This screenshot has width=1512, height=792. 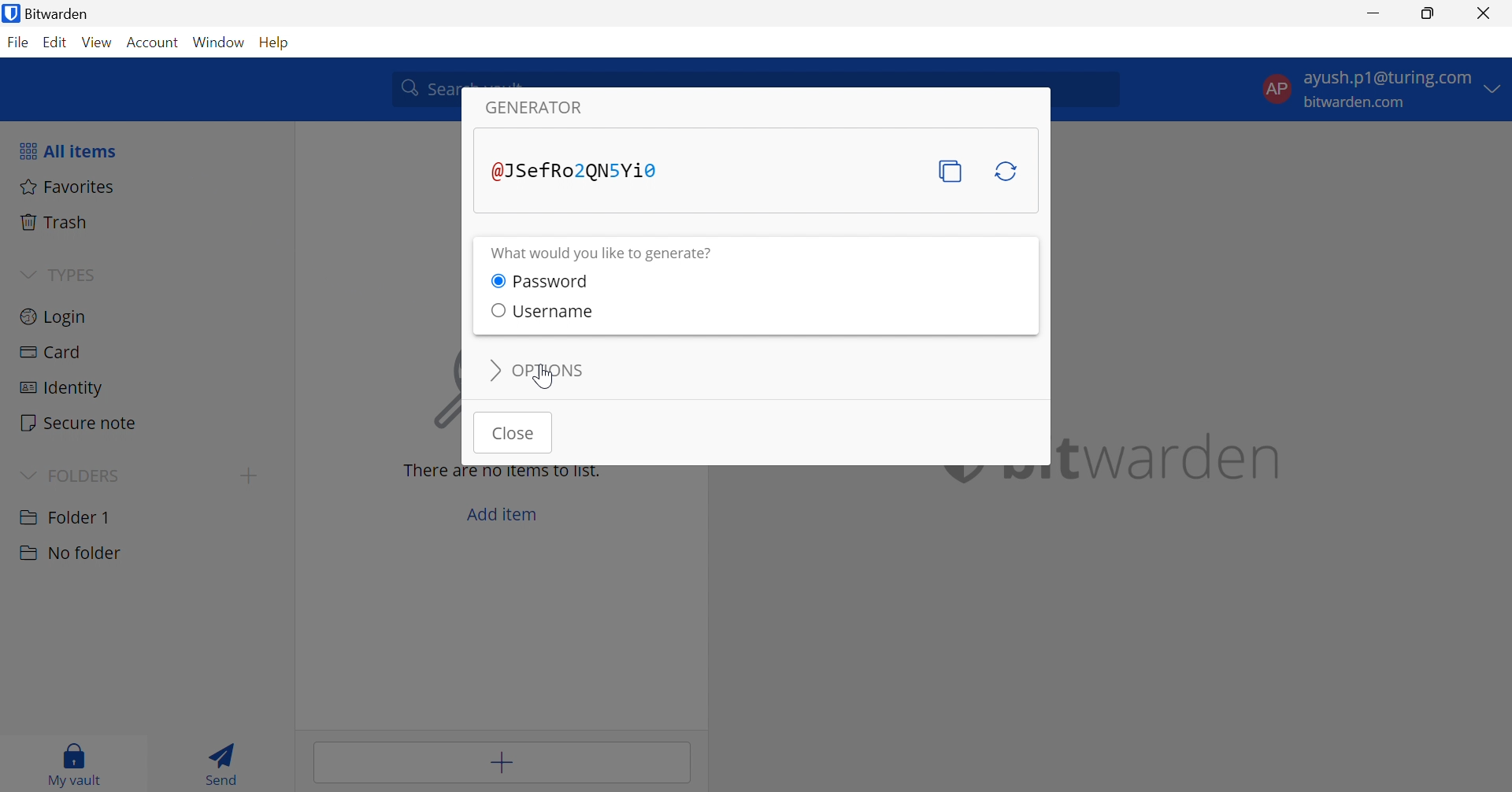 What do you see at coordinates (554, 312) in the screenshot?
I see `Username` at bounding box center [554, 312].